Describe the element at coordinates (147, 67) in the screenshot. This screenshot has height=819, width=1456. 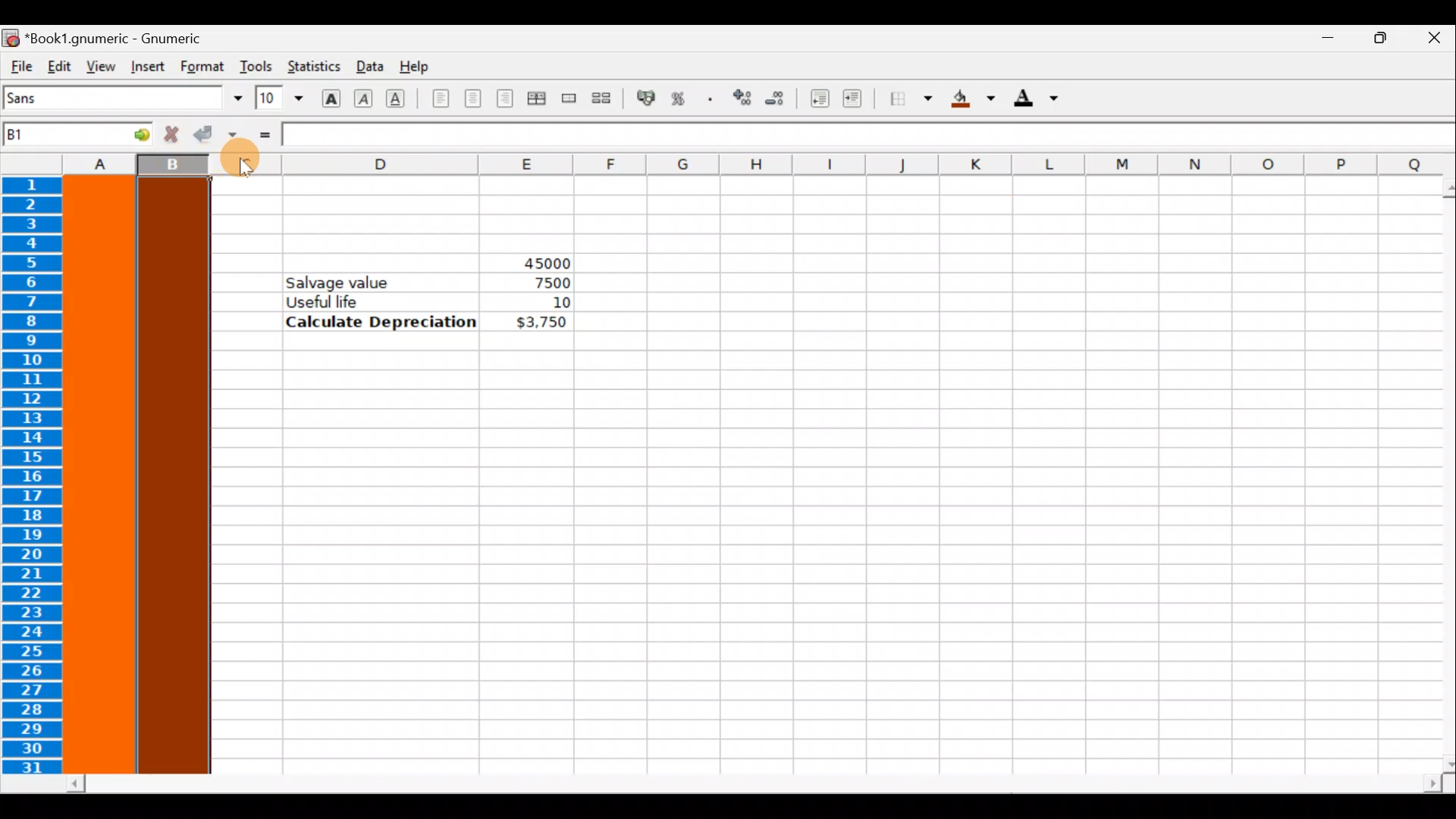
I see `Insert` at that location.